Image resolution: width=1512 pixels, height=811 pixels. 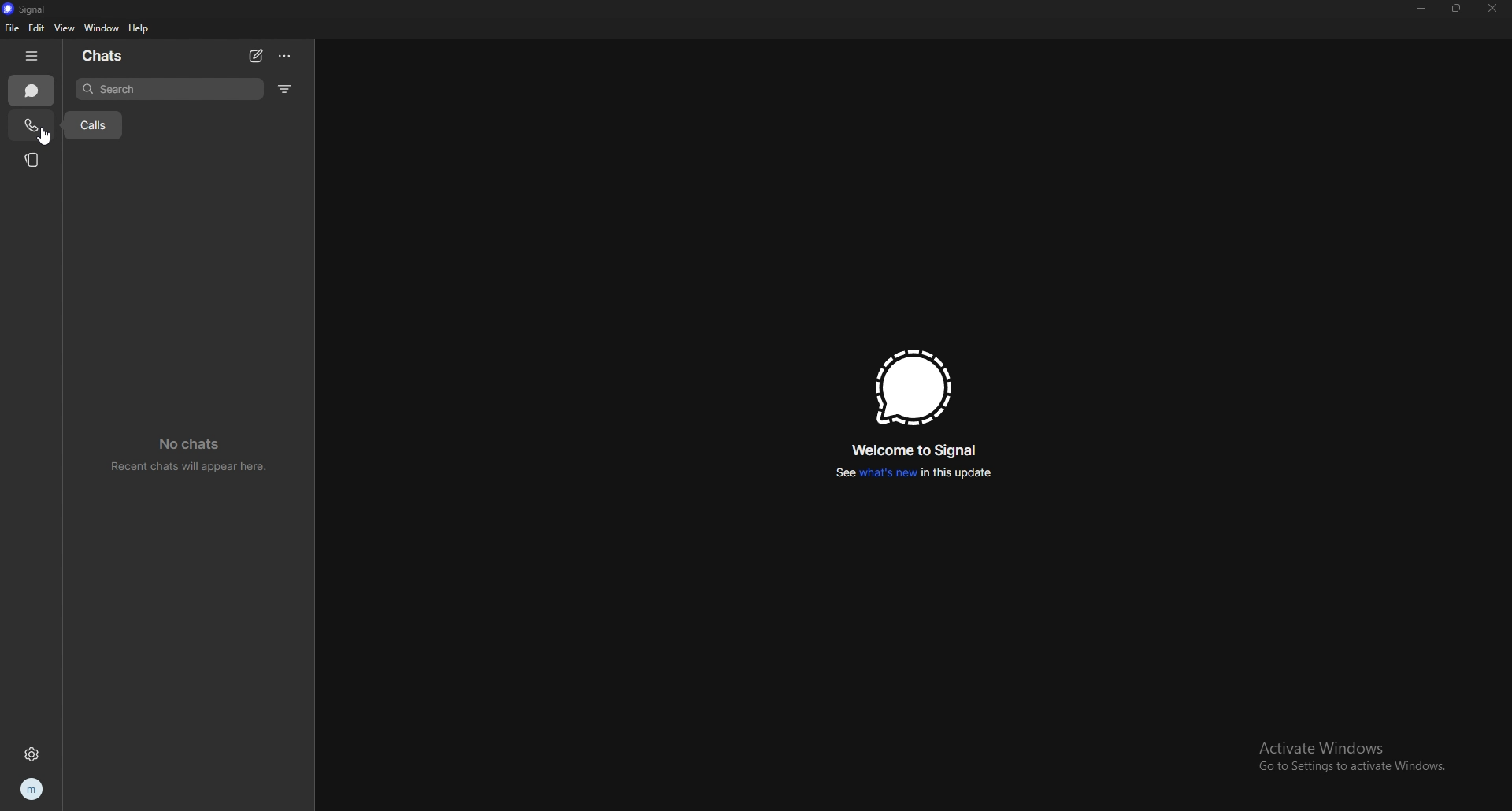 What do you see at coordinates (32, 91) in the screenshot?
I see `chat` at bounding box center [32, 91].